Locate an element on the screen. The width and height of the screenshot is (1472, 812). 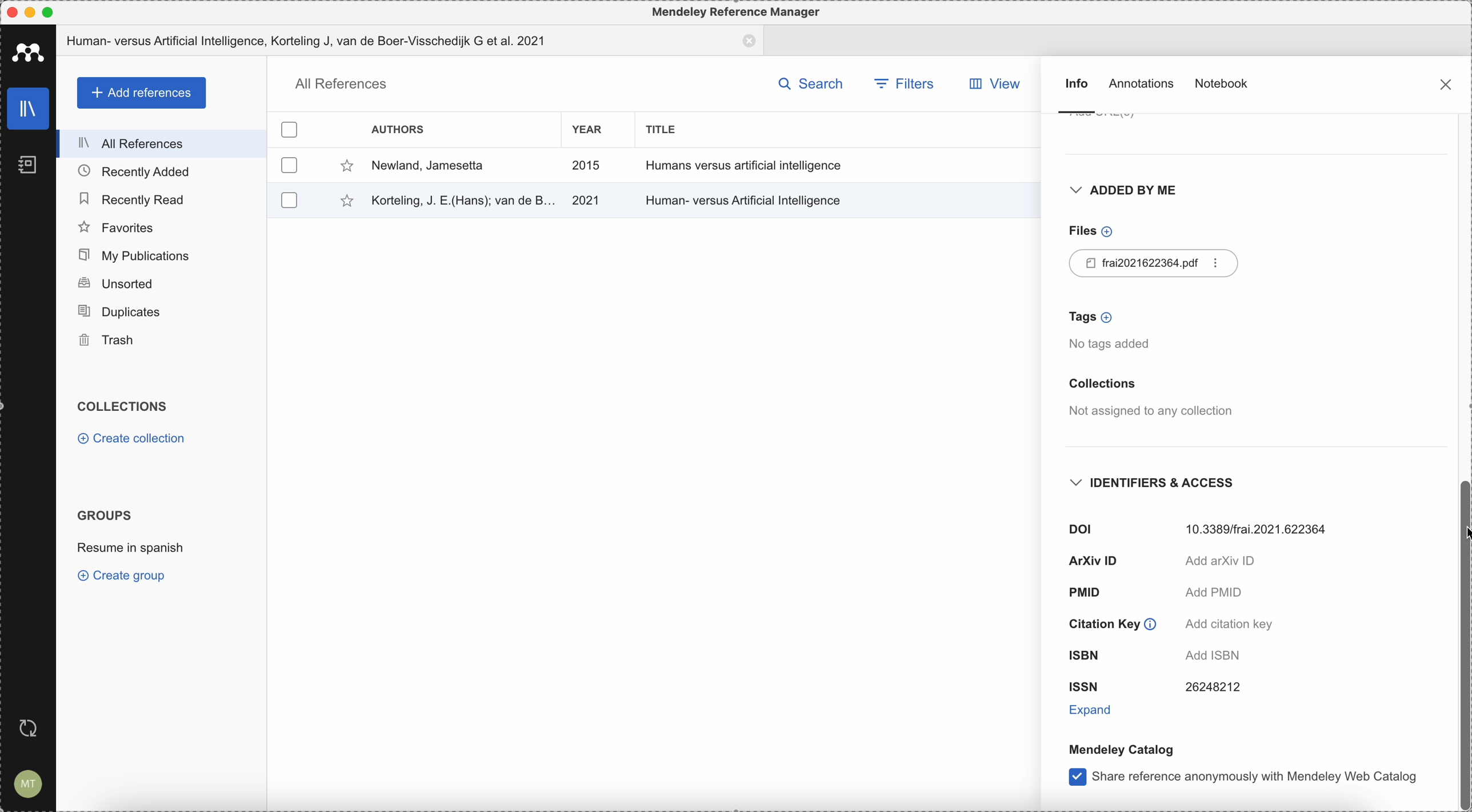
all references is located at coordinates (162, 143).